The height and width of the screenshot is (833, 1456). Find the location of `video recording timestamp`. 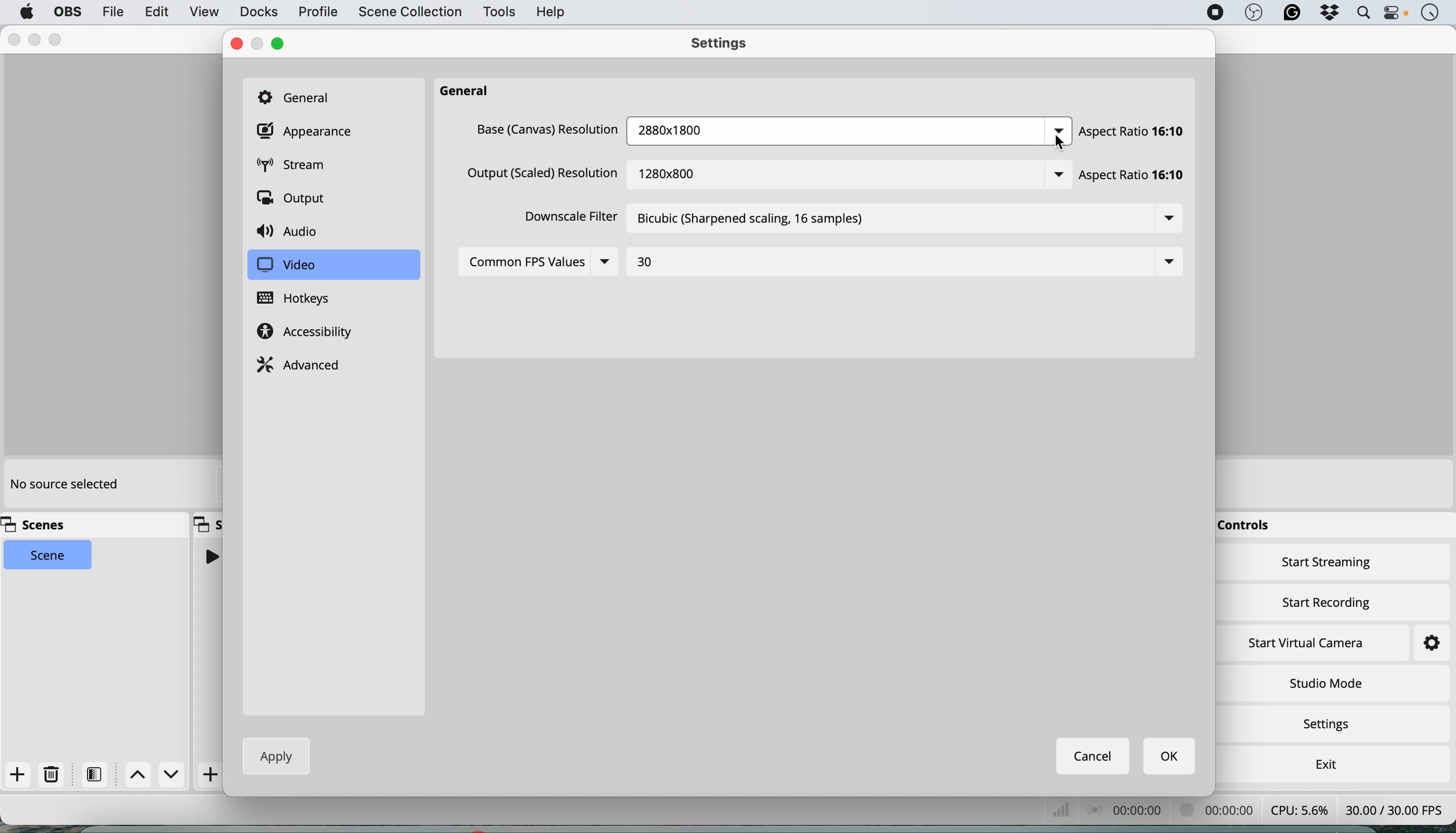

video recording timestamp is located at coordinates (1220, 812).